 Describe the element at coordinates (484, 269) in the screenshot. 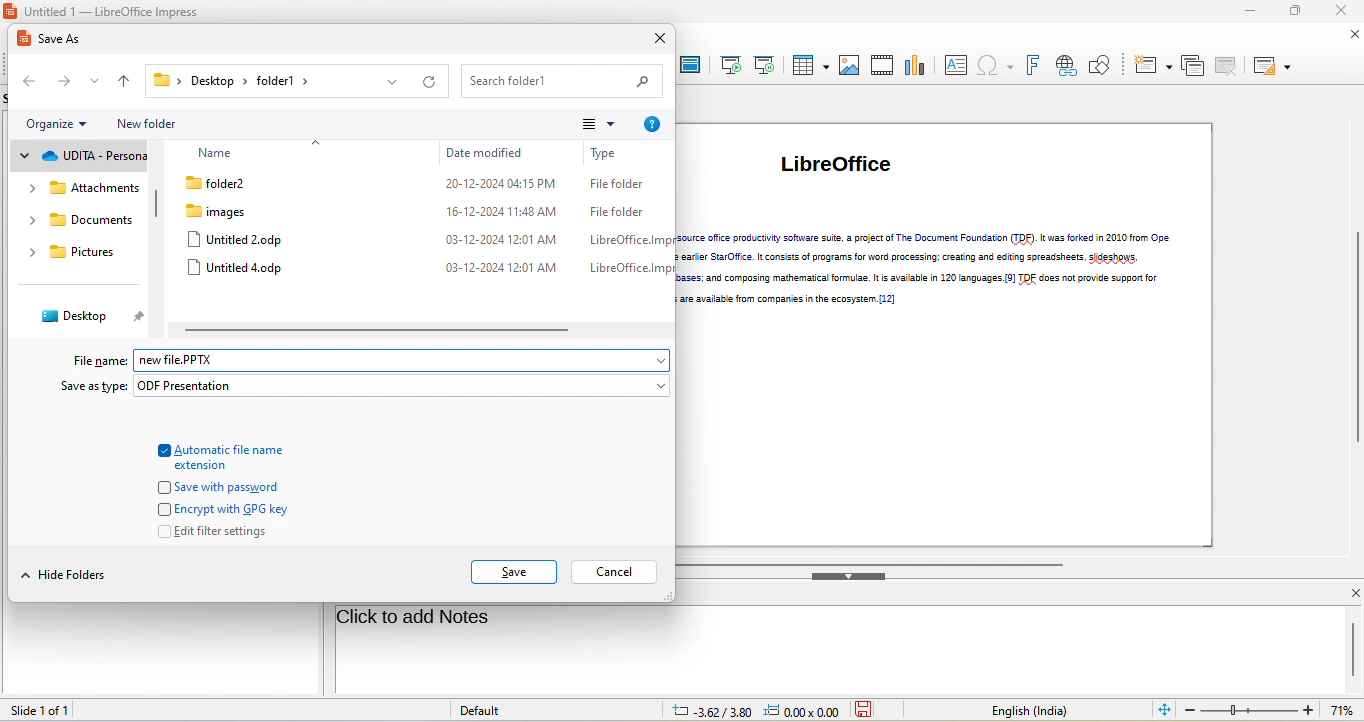

I see `03-12-2024 12:01 AM` at that location.